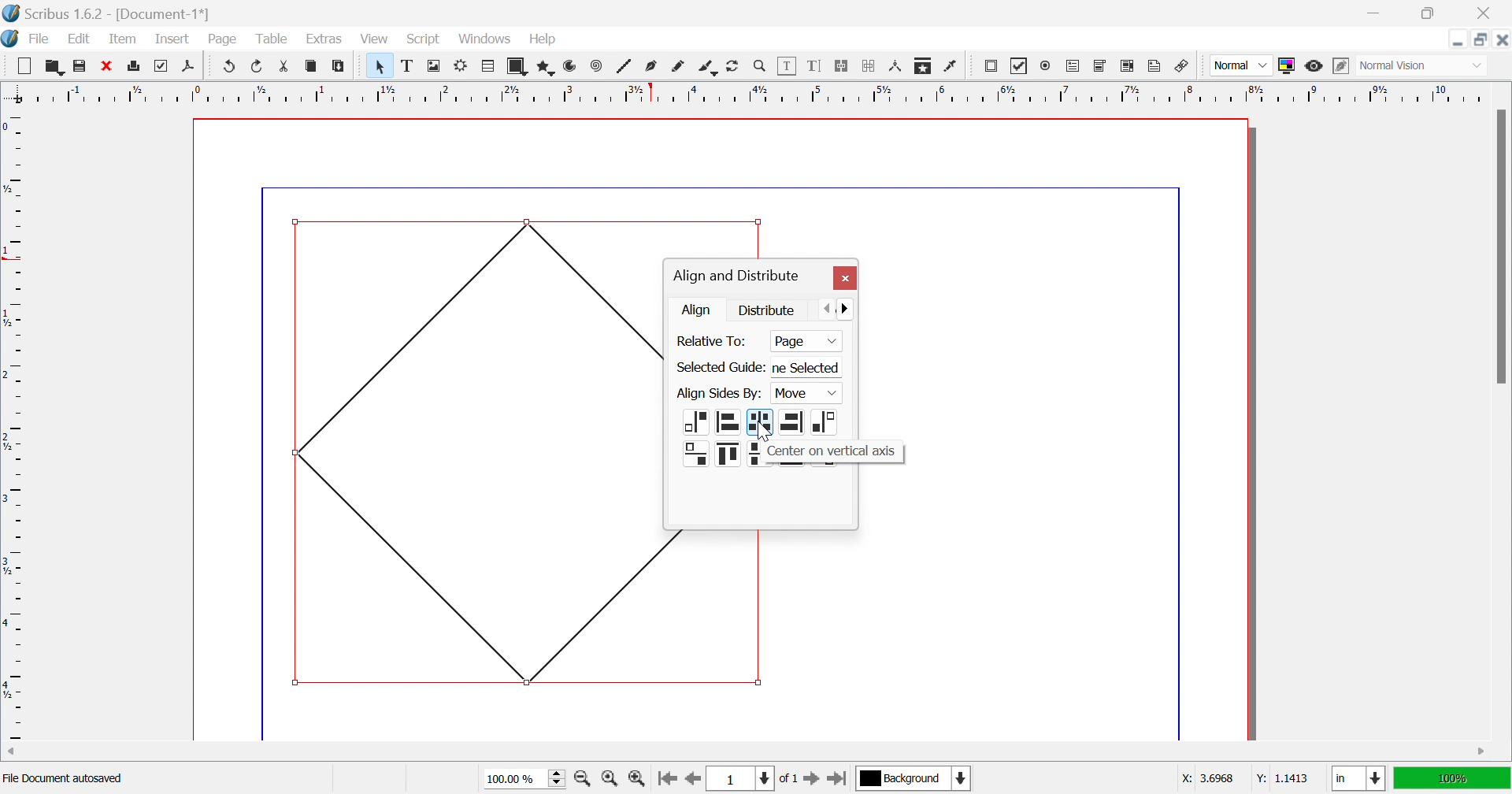  Describe the element at coordinates (829, 451) in the screenshot. I see `Center on vertical axis` at that location.